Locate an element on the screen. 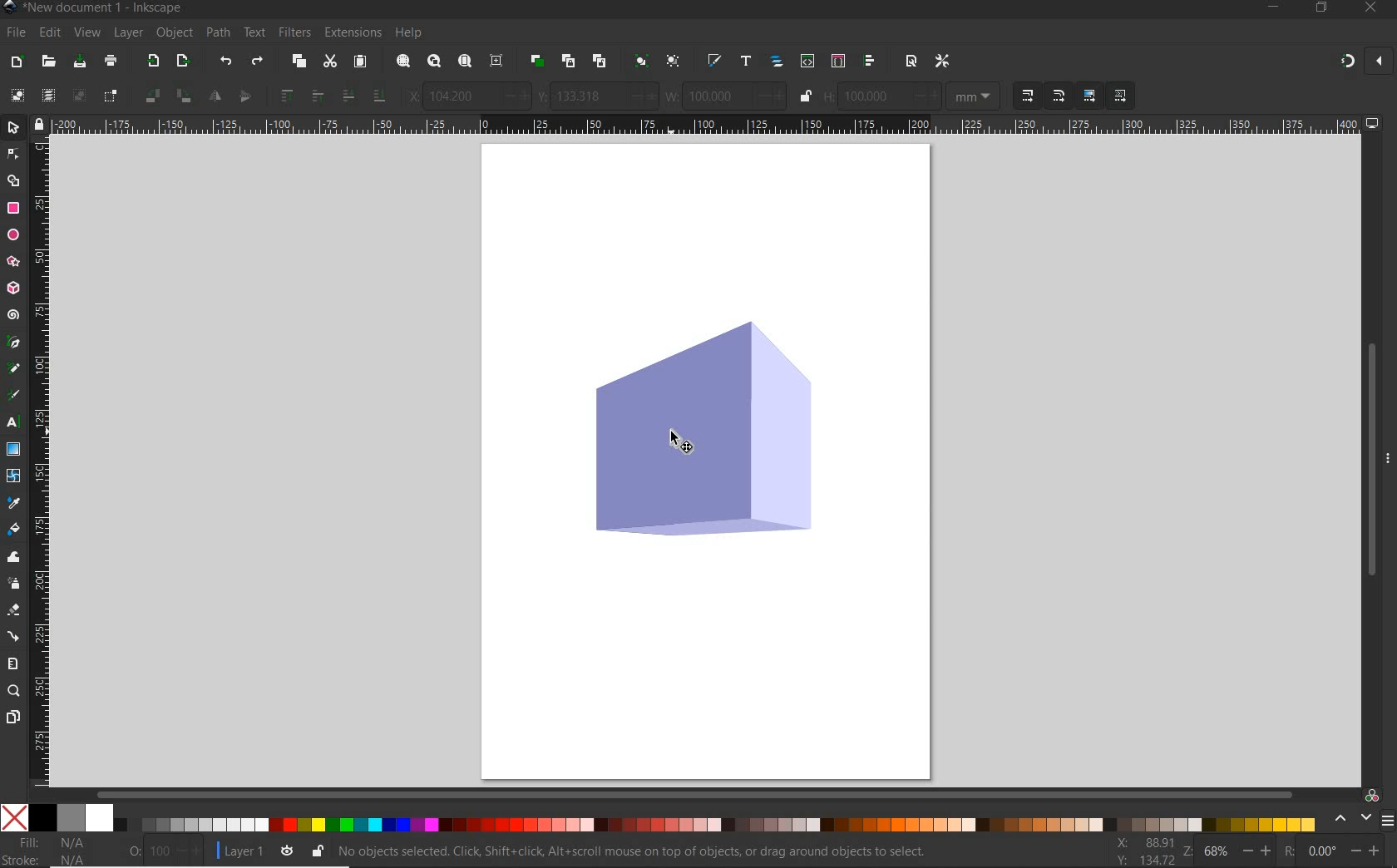 Image resolution: width=1397 pixels, height=868 pixels. SHAPE BUILDER TOOL is located at coordinates (12, 181).